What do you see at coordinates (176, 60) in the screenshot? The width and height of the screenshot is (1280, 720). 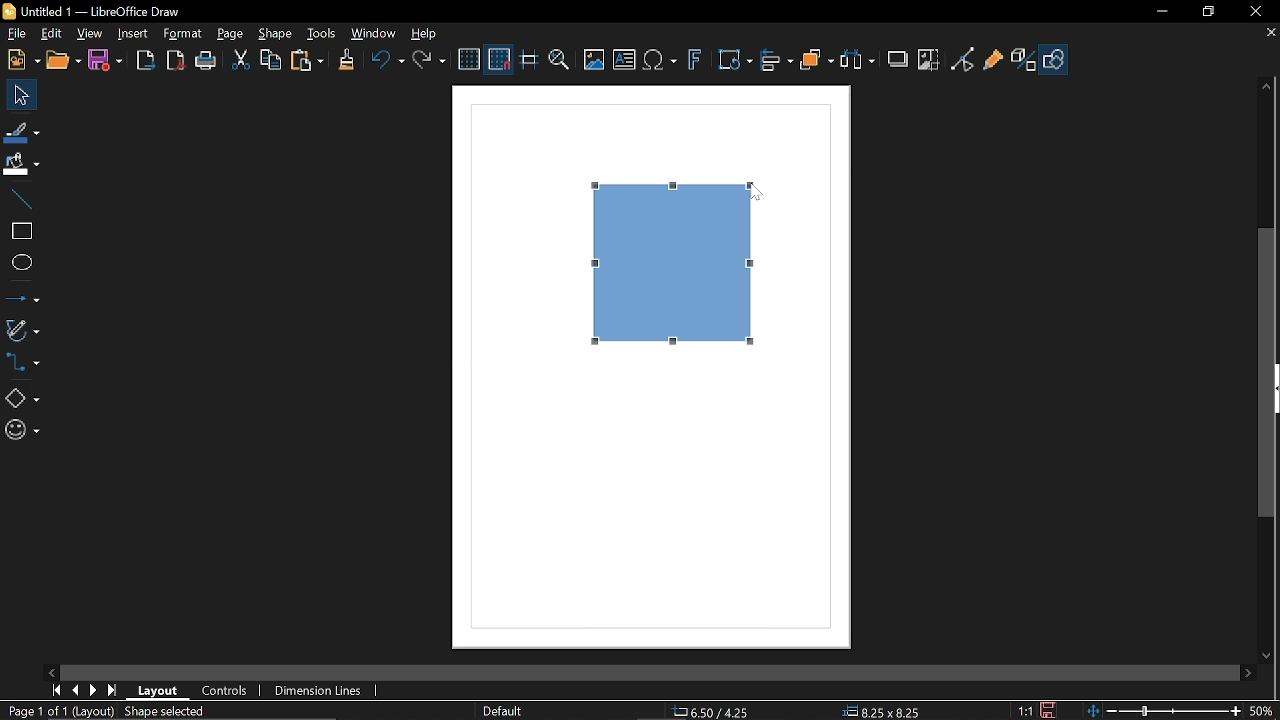 I see `Export directly as PDF` at bounding box center [176, 60].